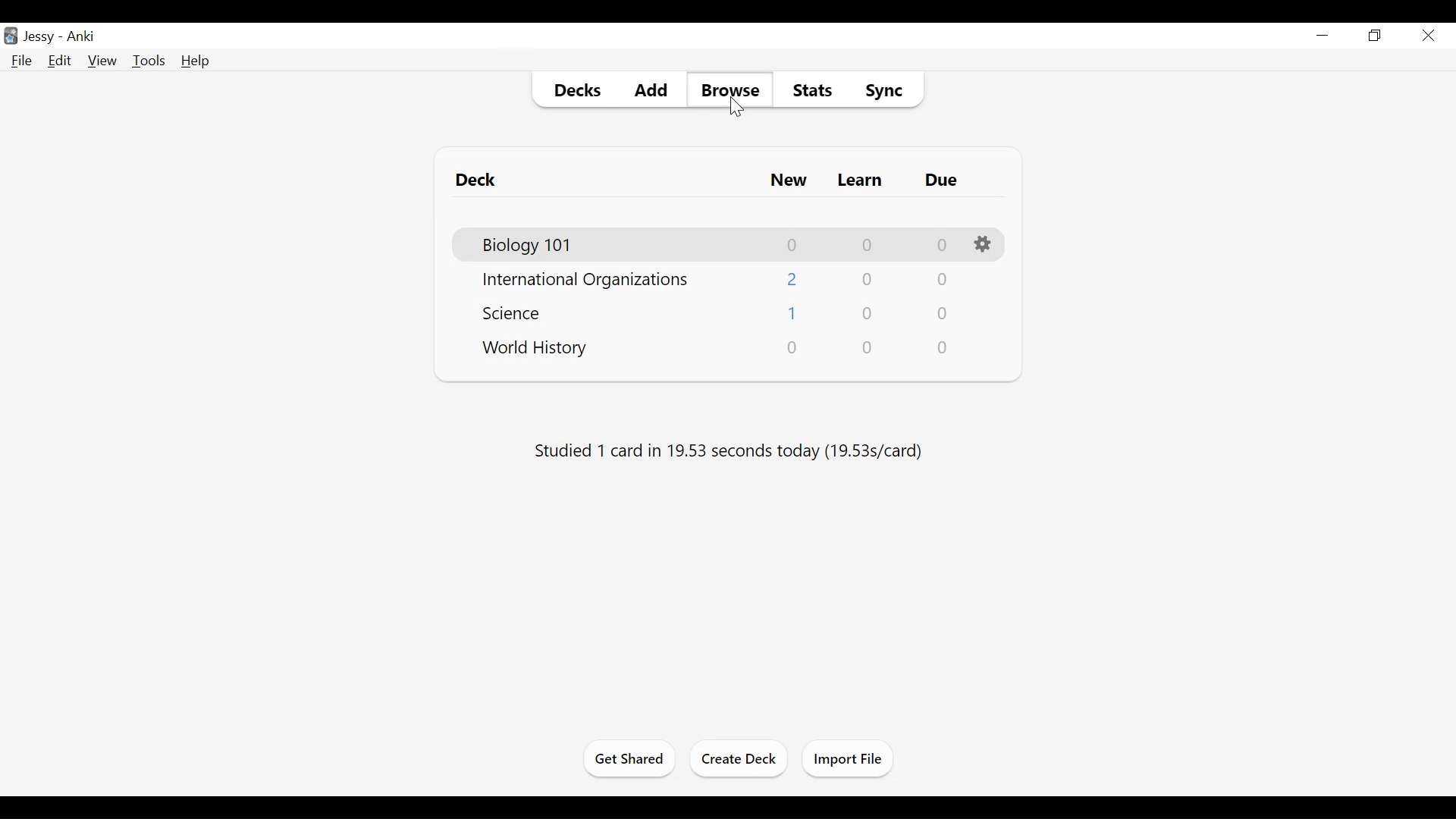 Image resolution: width=1456 pixels, height=819 pixels. I want to click on Learn Card Count, so click(866, 278).